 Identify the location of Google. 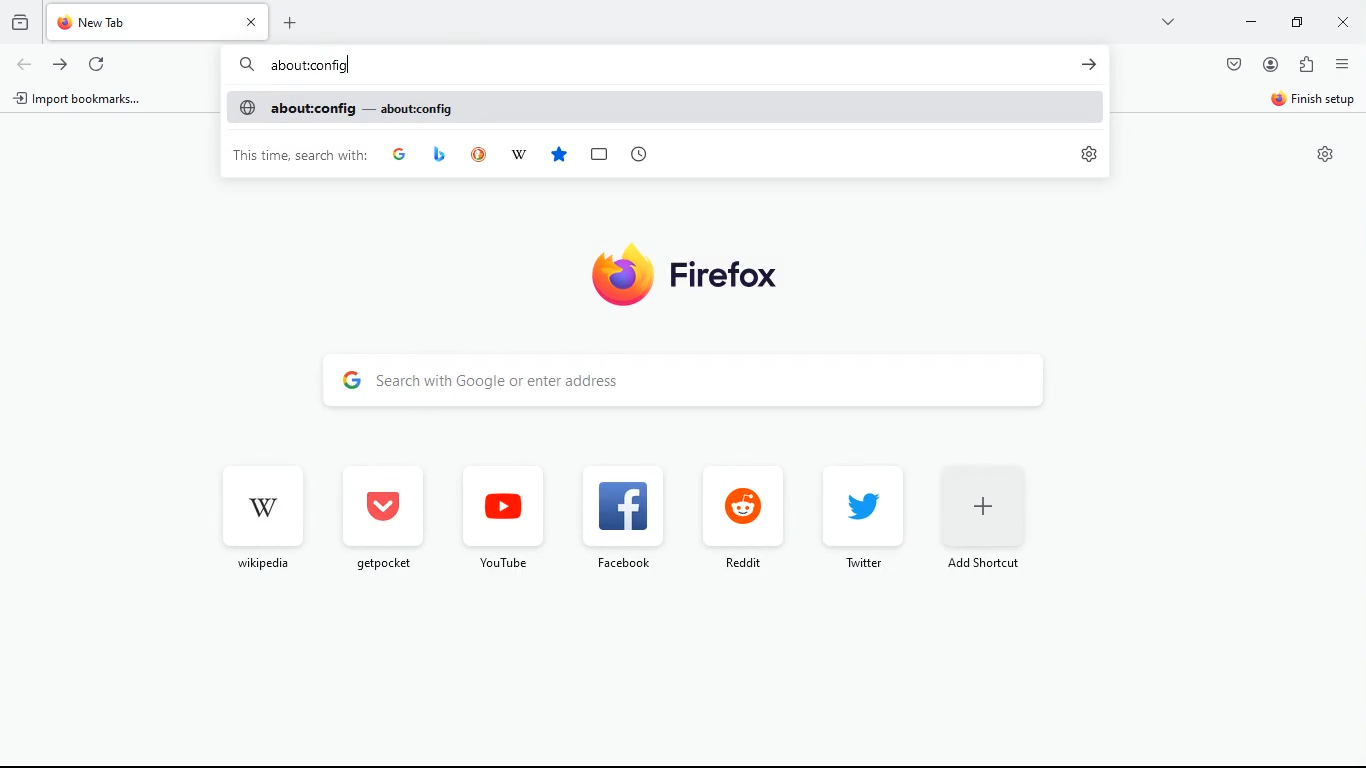
(400, 153).